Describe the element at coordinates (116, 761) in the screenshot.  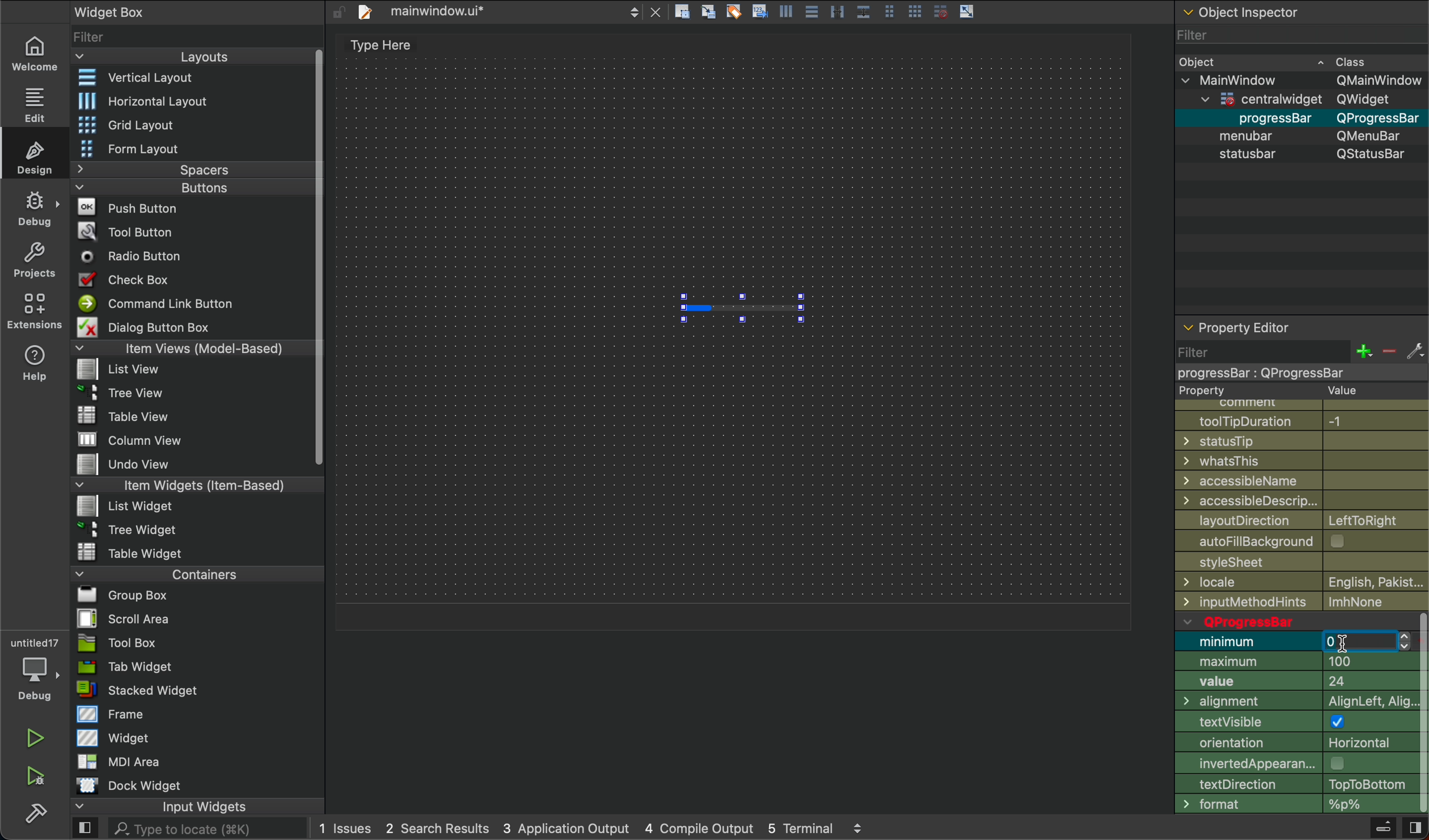
I see `MDI Area` at that location.